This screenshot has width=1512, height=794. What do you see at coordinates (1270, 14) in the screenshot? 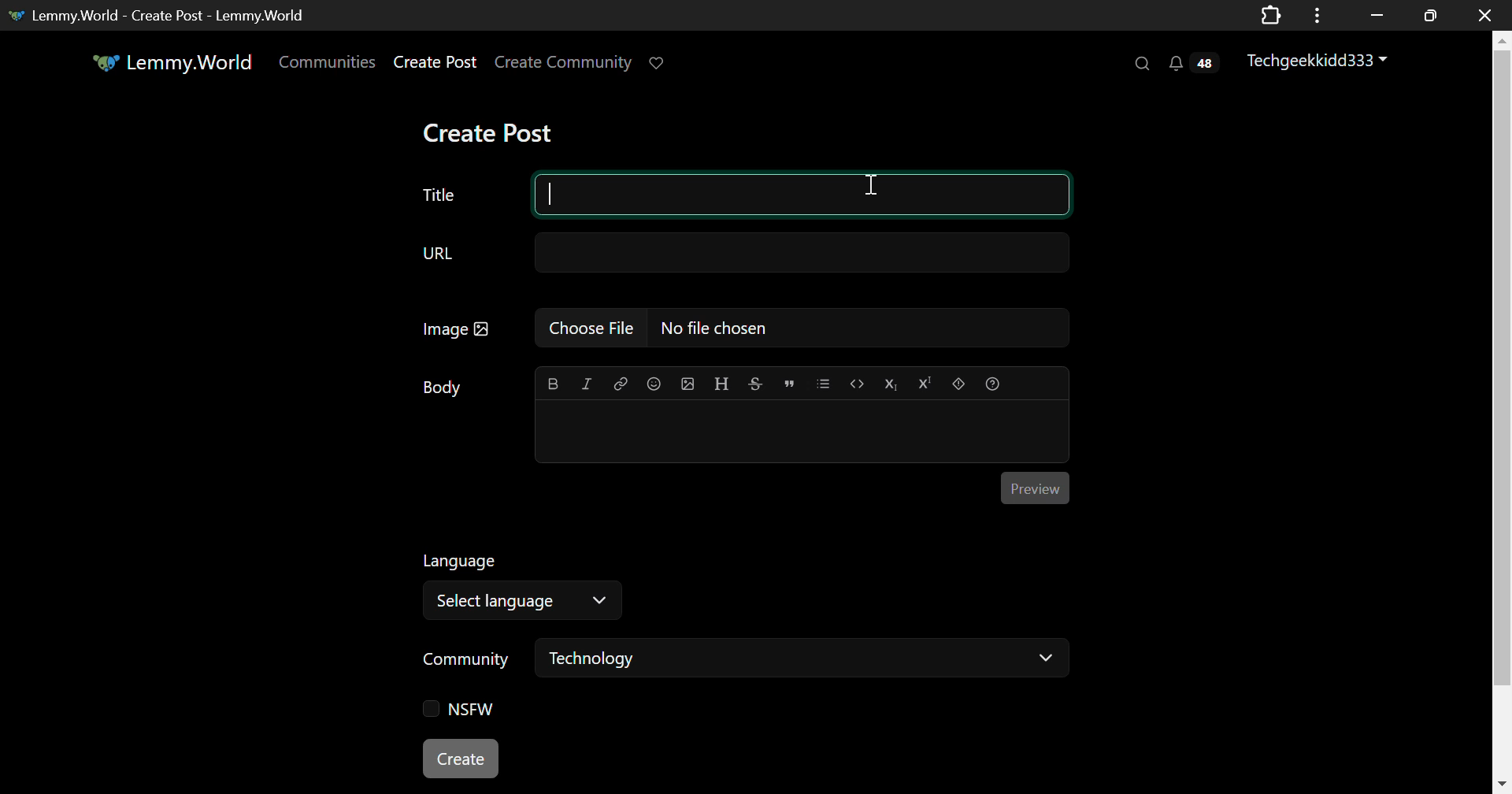
I see `Extensions` at bounding box center [1270, 14].